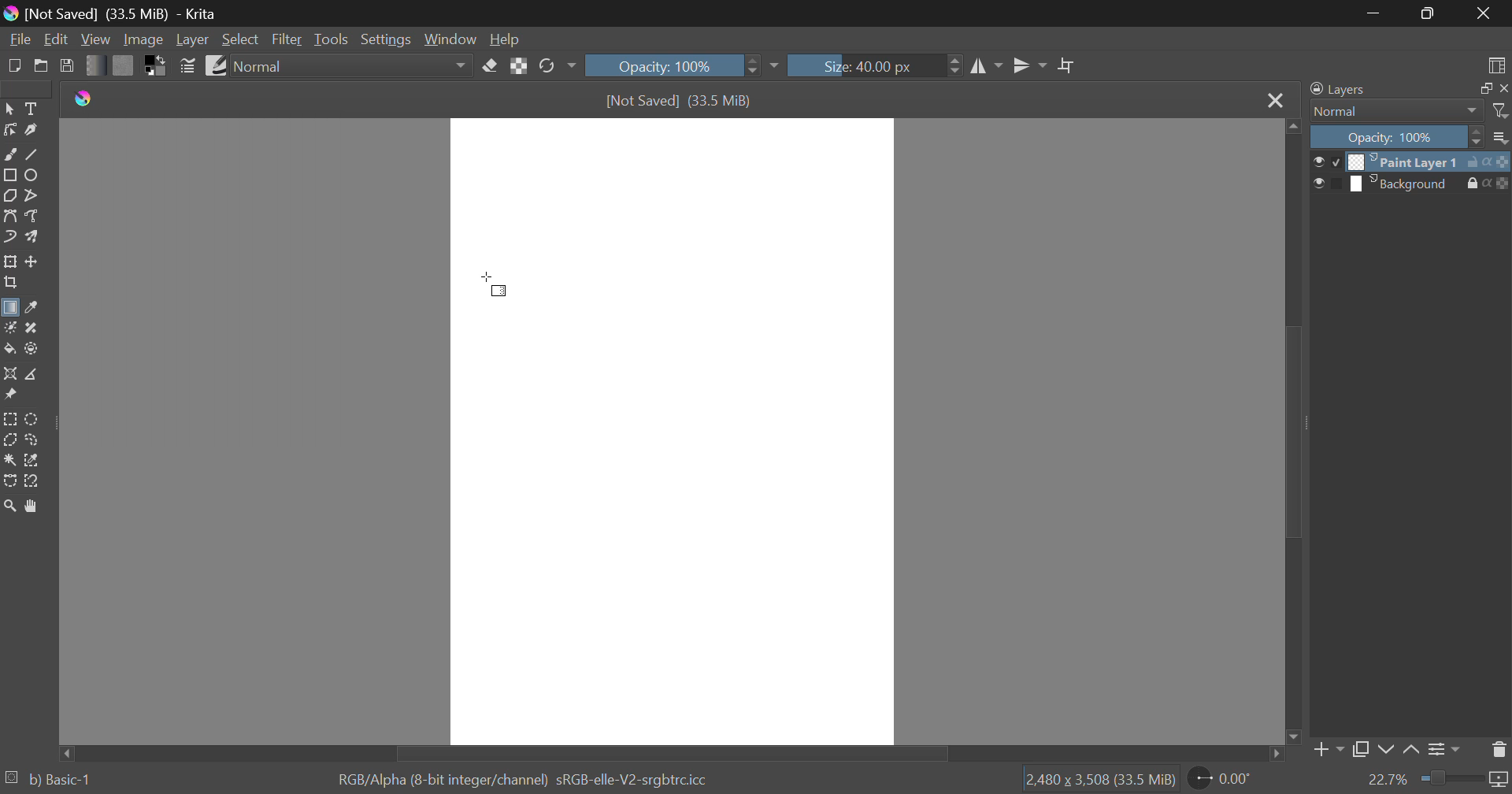 Image resolution: width=1512 pixels, height=794 pixels. Describe the element at coordinates (449, 39) in the screenshot. I see `Window` at that location.